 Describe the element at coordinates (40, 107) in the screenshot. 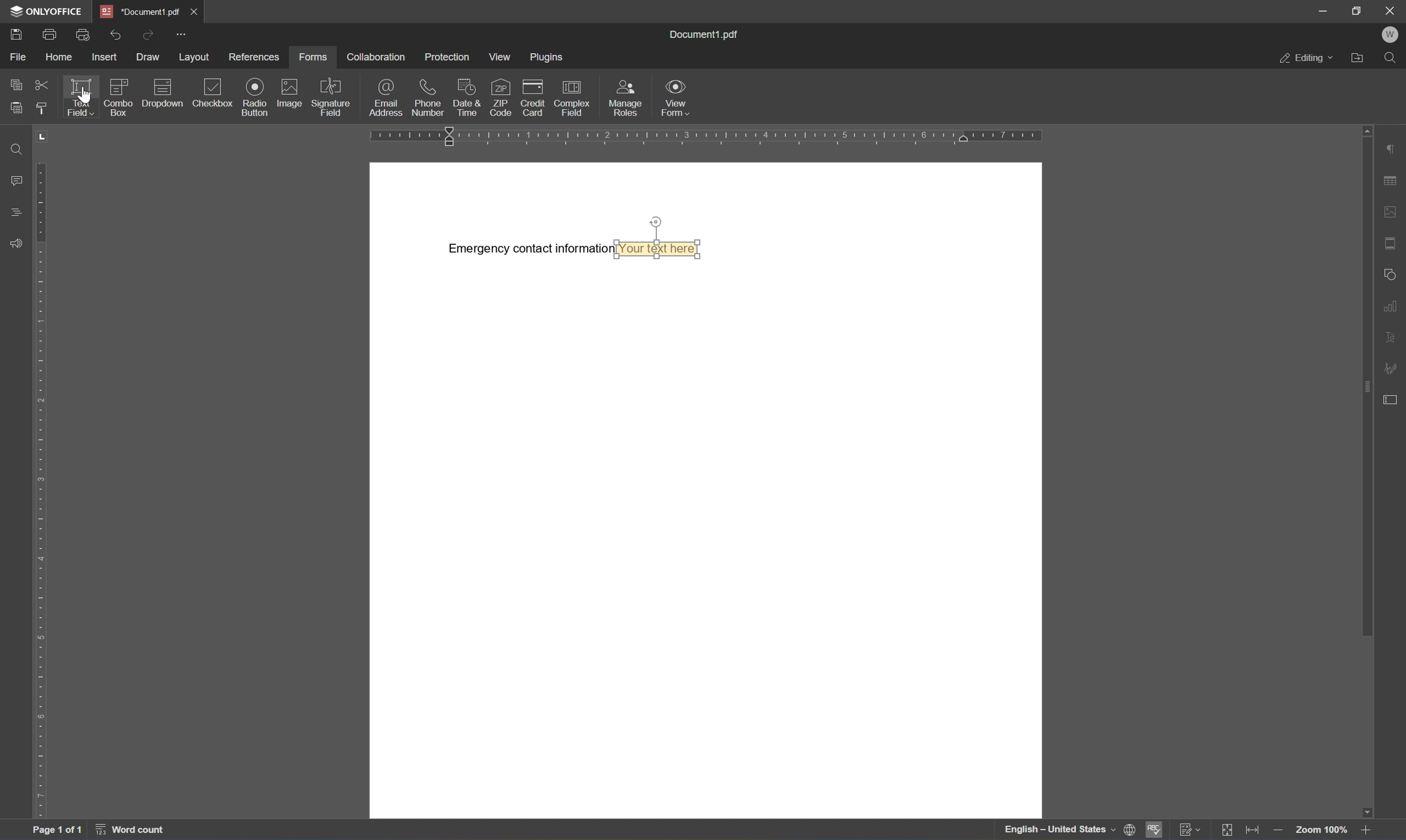

I see `copy style` at that location.